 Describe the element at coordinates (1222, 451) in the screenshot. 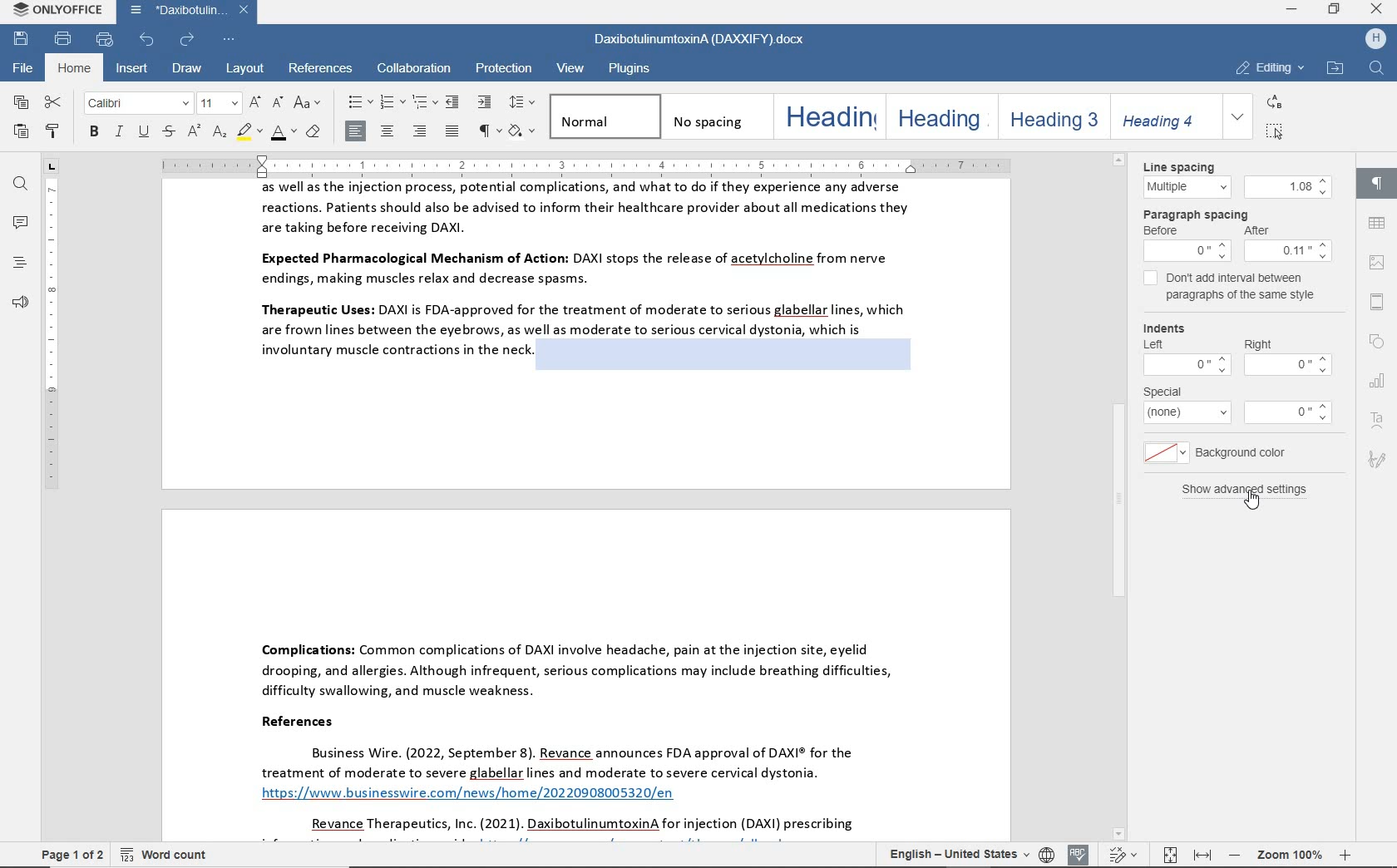

I see `background color` at that location.